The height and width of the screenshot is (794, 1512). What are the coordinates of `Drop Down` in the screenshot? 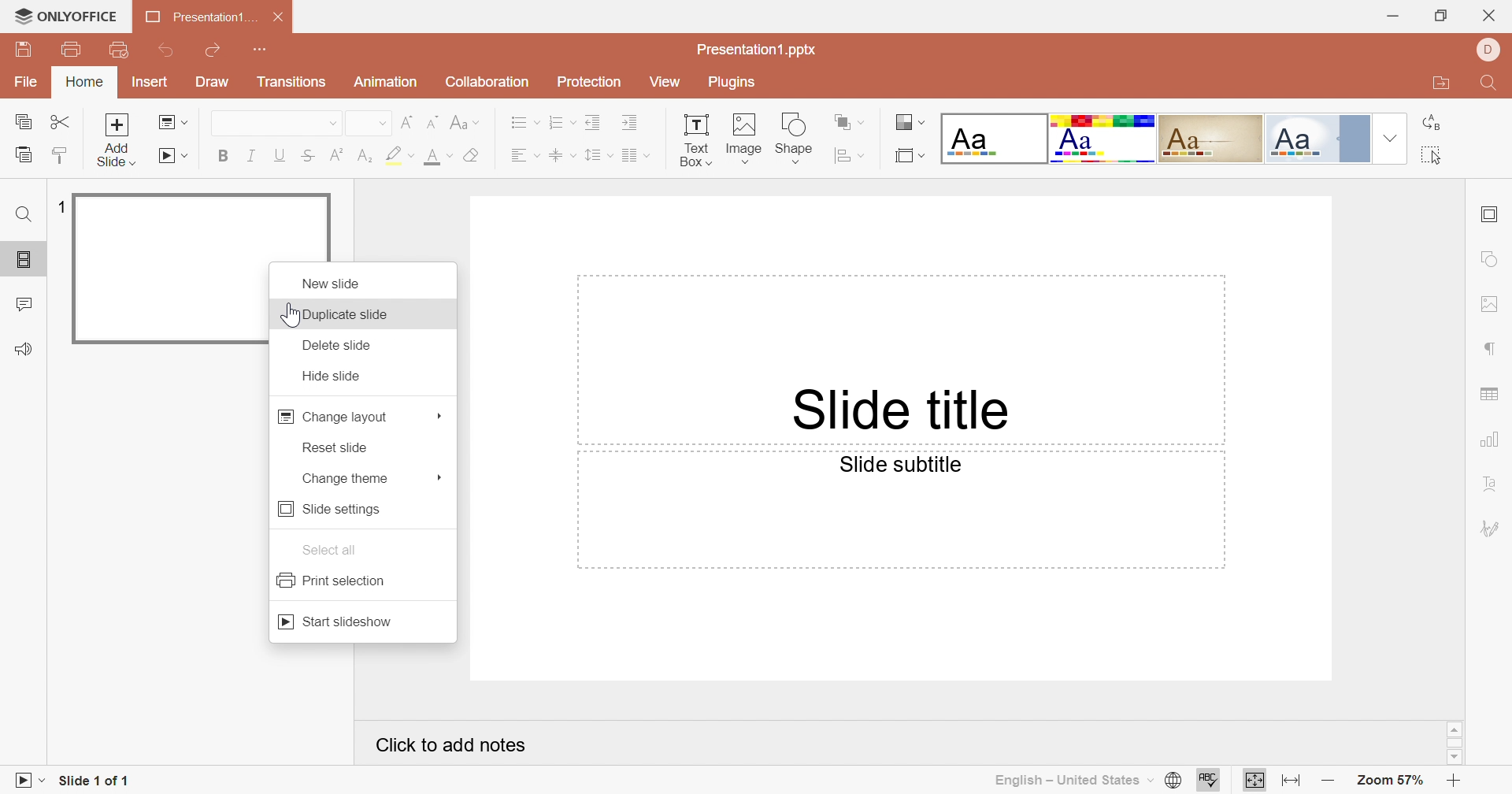 It's located at (538, 155).